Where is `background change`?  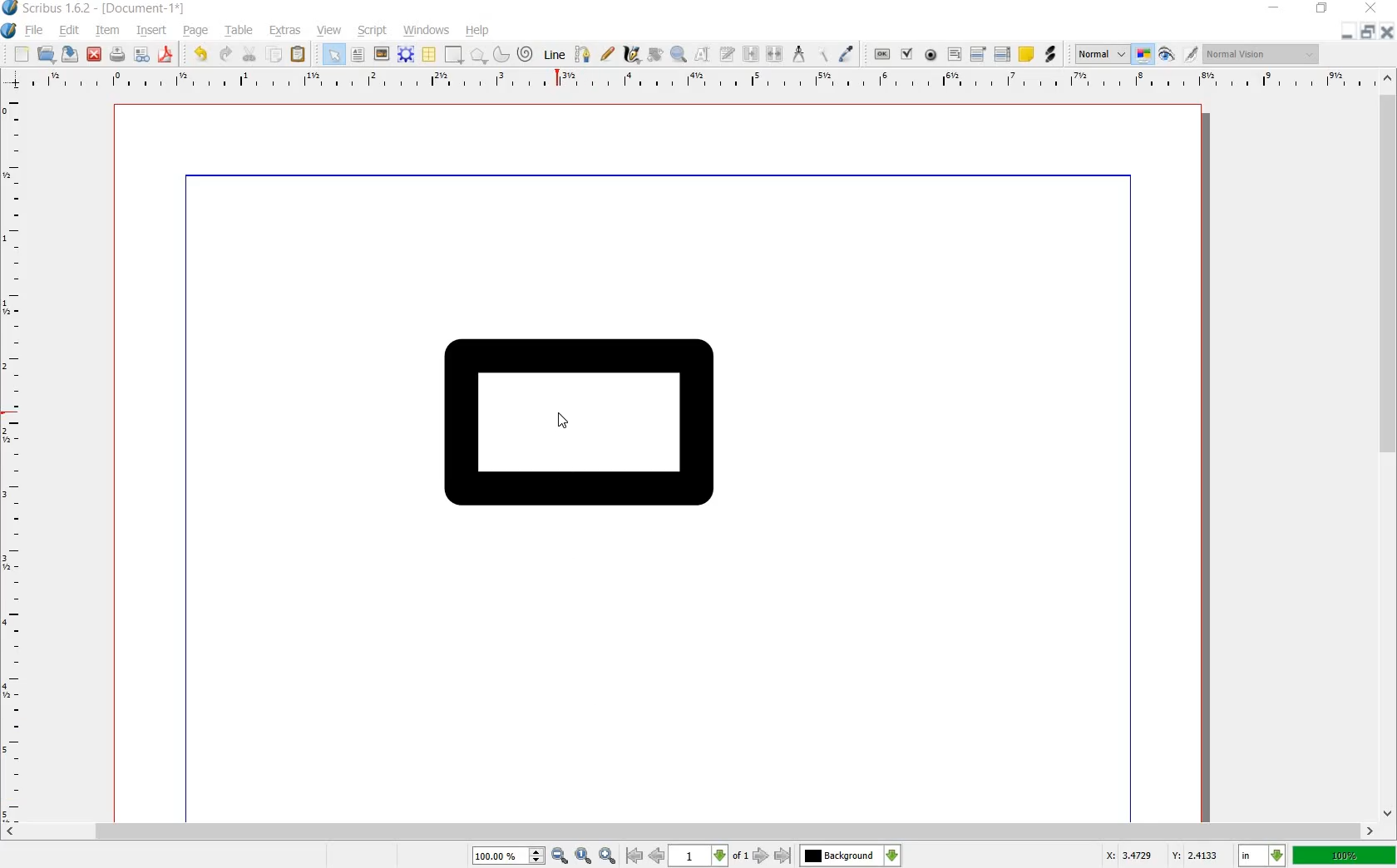 background change is located at coordinates (850, 856).